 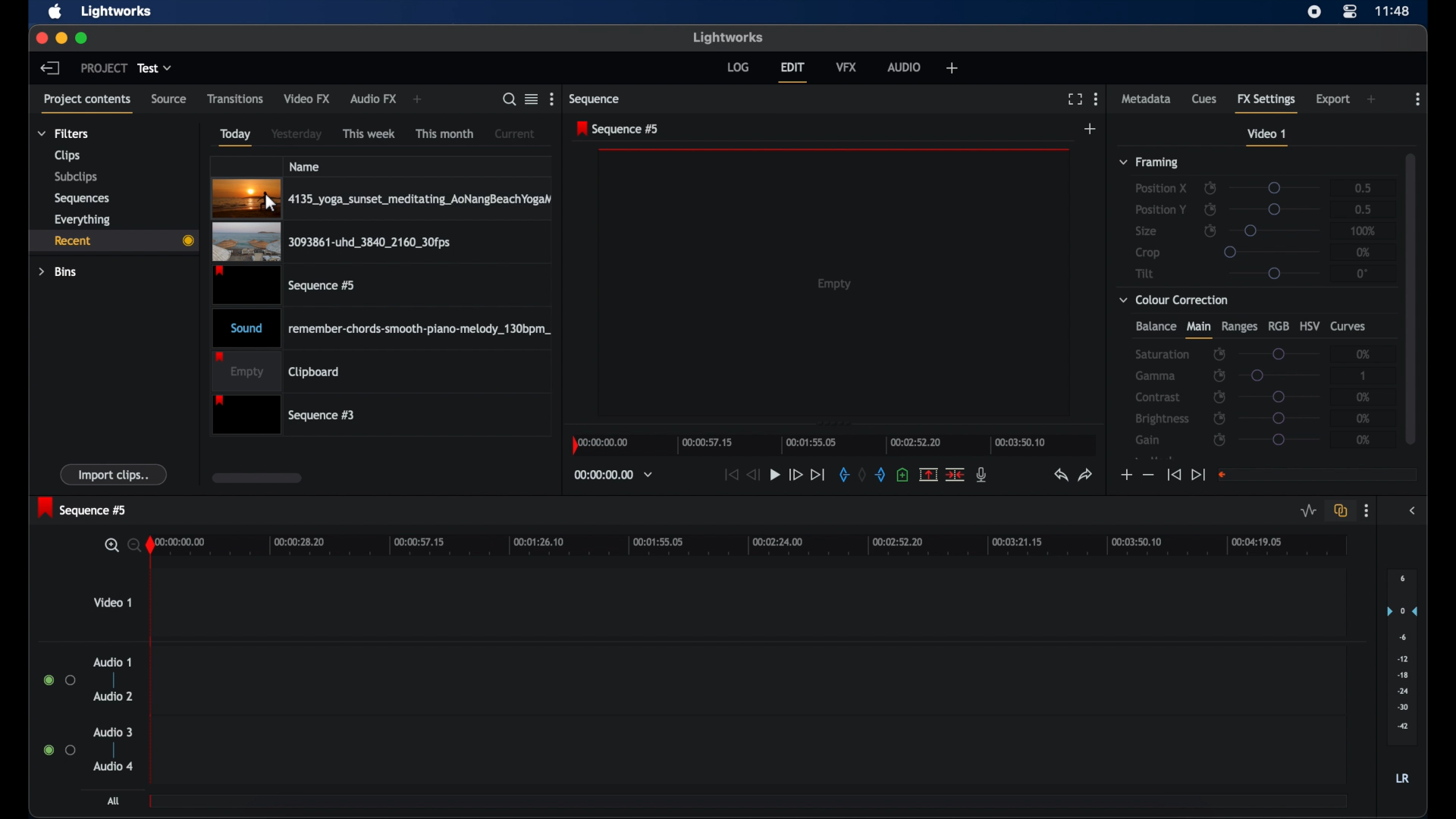 What do you see at coordinates (1364, 273) in the screenshot?
I see `0` at bounding box center [1364, 273].